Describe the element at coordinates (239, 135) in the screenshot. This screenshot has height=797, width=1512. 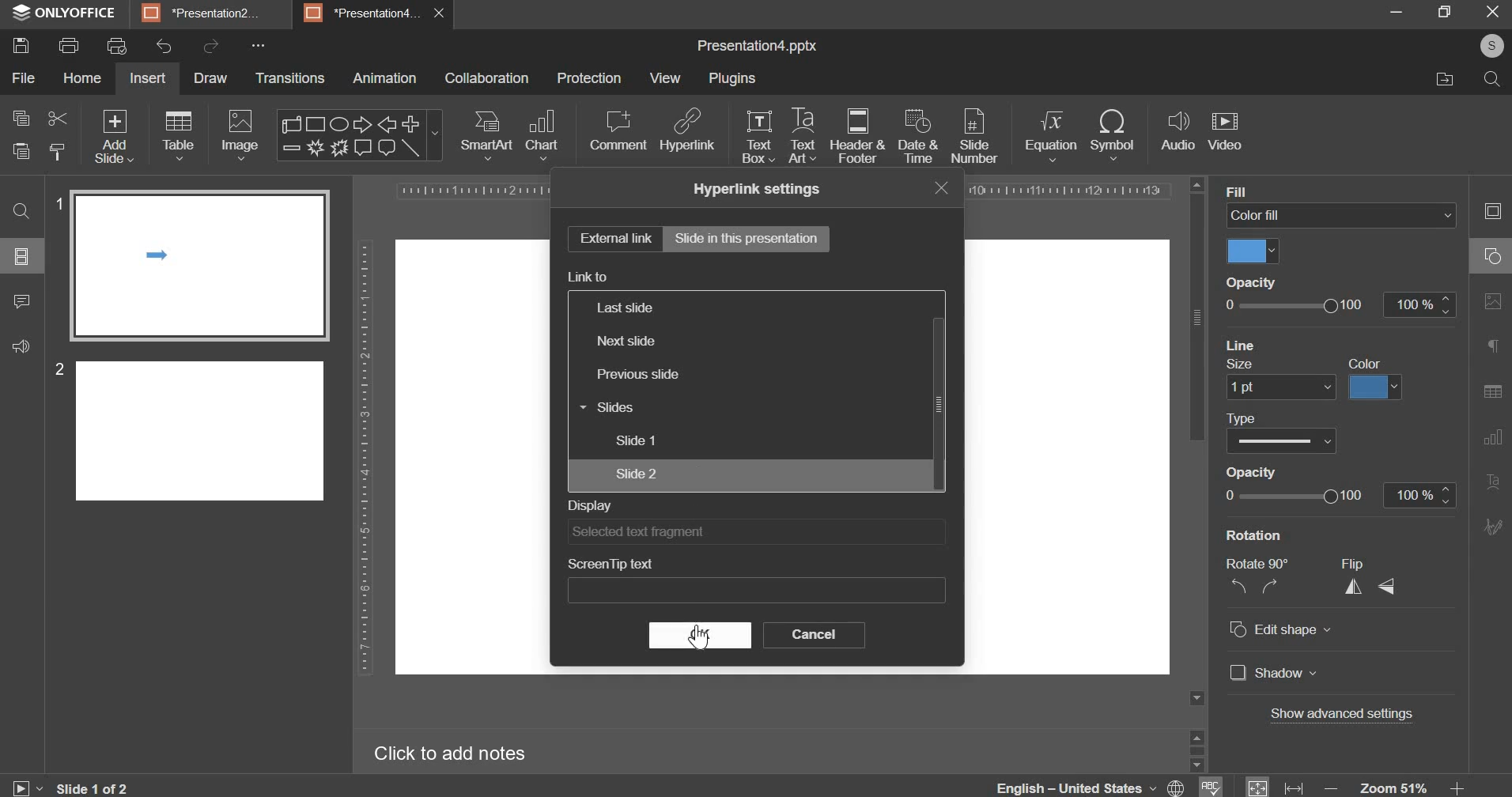
I see `image` at that location.